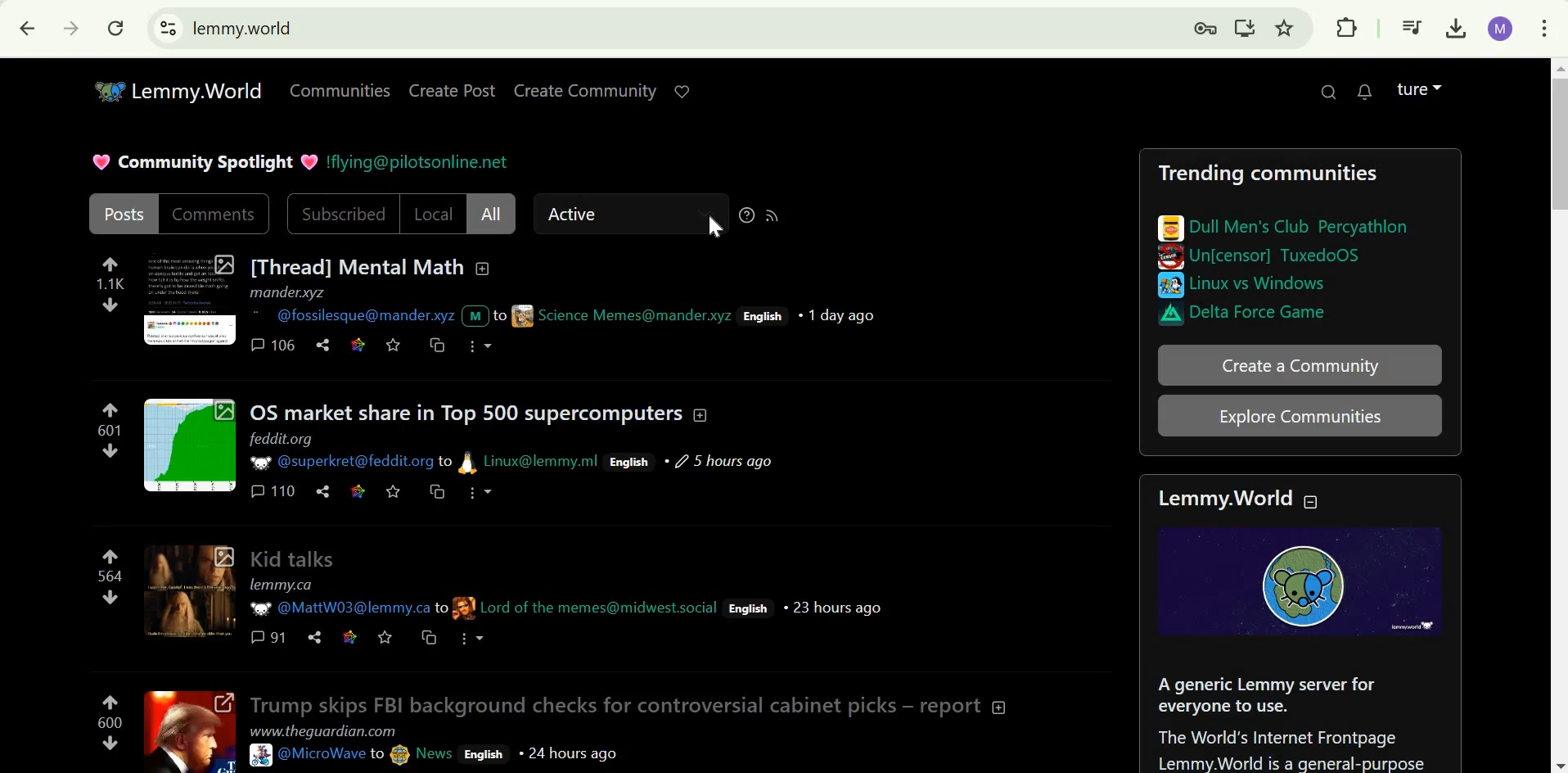 The height and width of the screenshot is (773, 1568). What do you see at coordinates (282, 439) in the screenshot?
I see `feddit.org` at bounding box center [282, 439].